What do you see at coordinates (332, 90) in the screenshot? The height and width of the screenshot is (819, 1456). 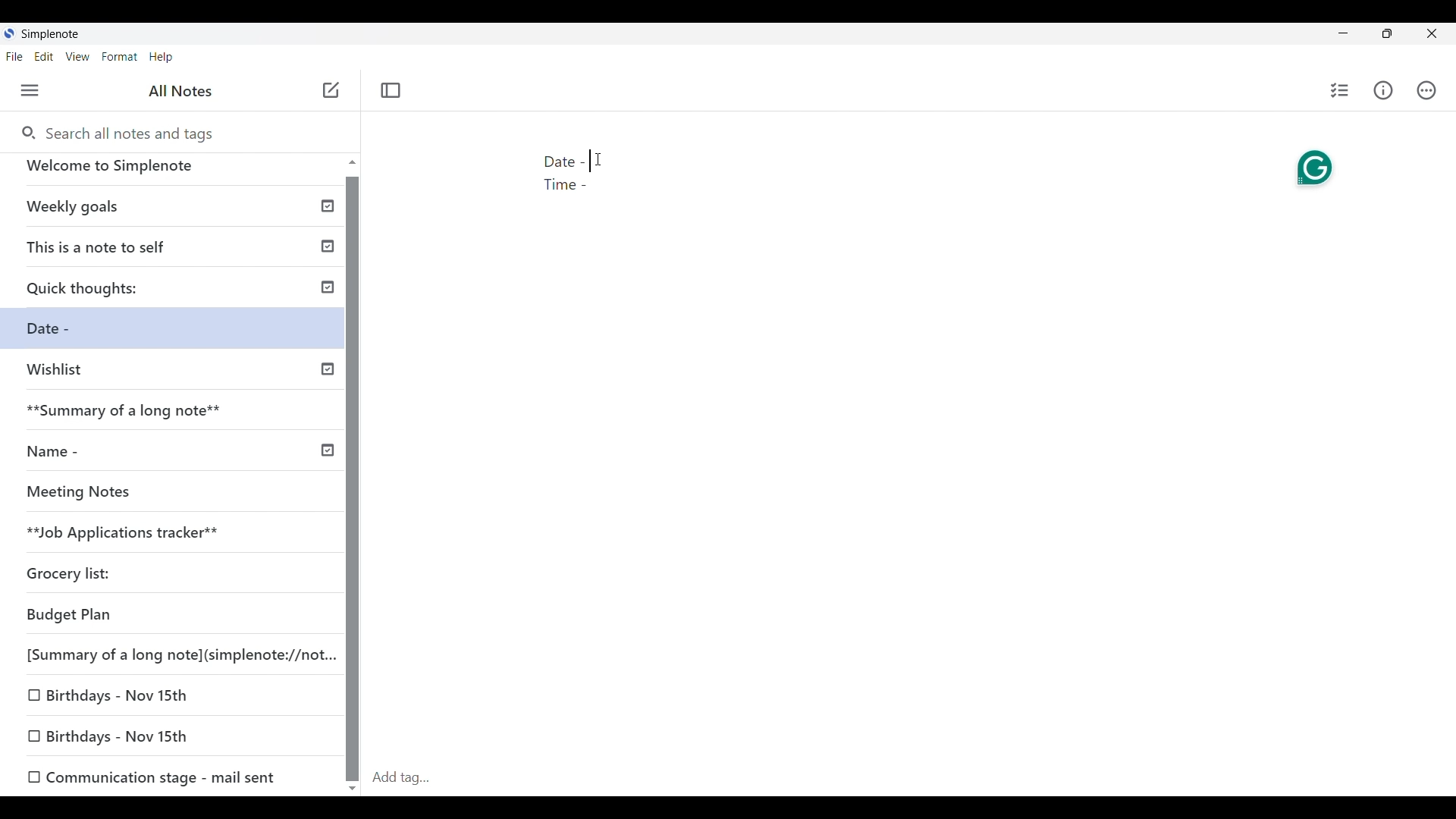 I see `Add note` at bounding box center [332, 90].